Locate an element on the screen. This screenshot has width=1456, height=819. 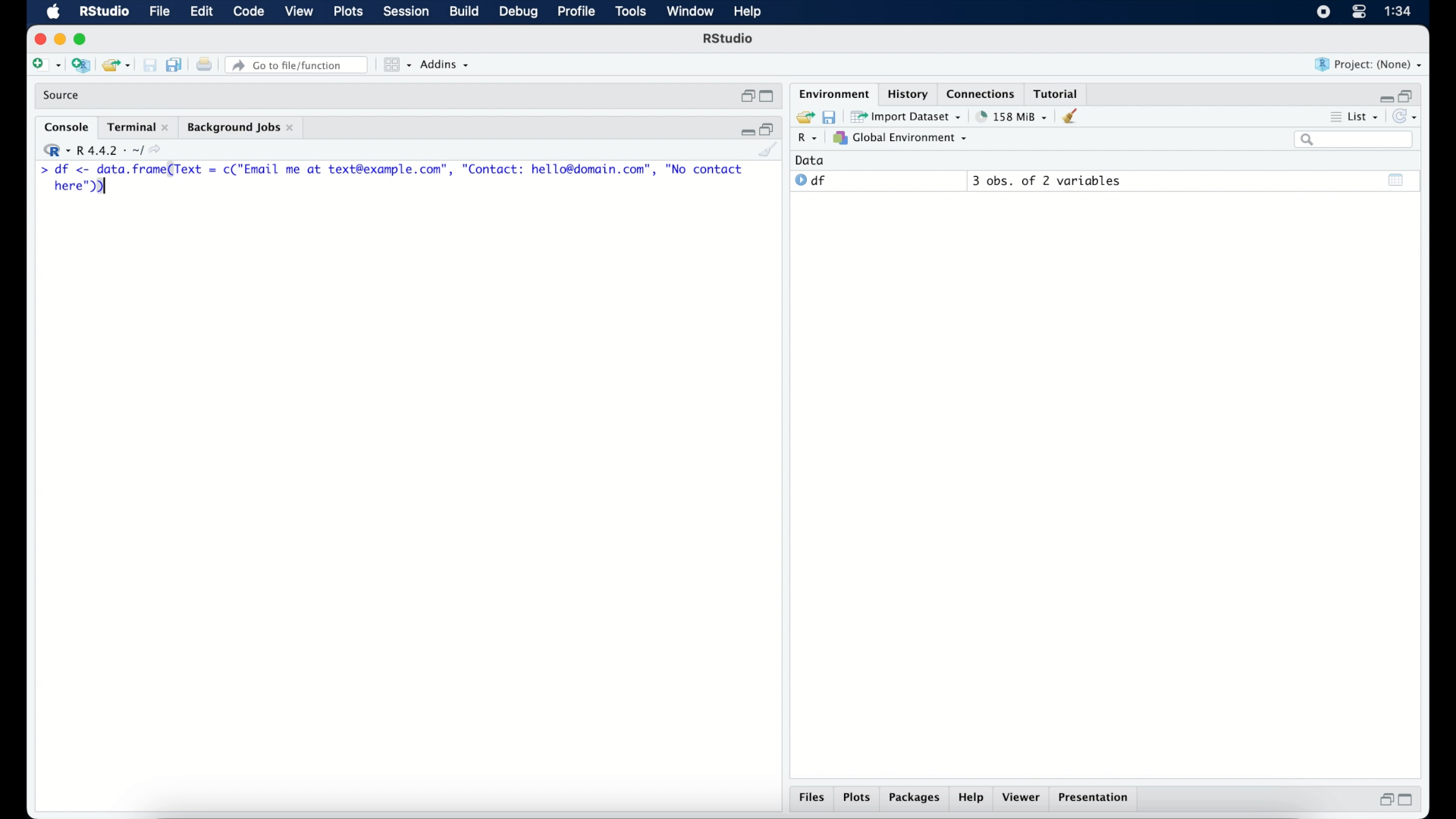
History is located at coordinates (906, 93).